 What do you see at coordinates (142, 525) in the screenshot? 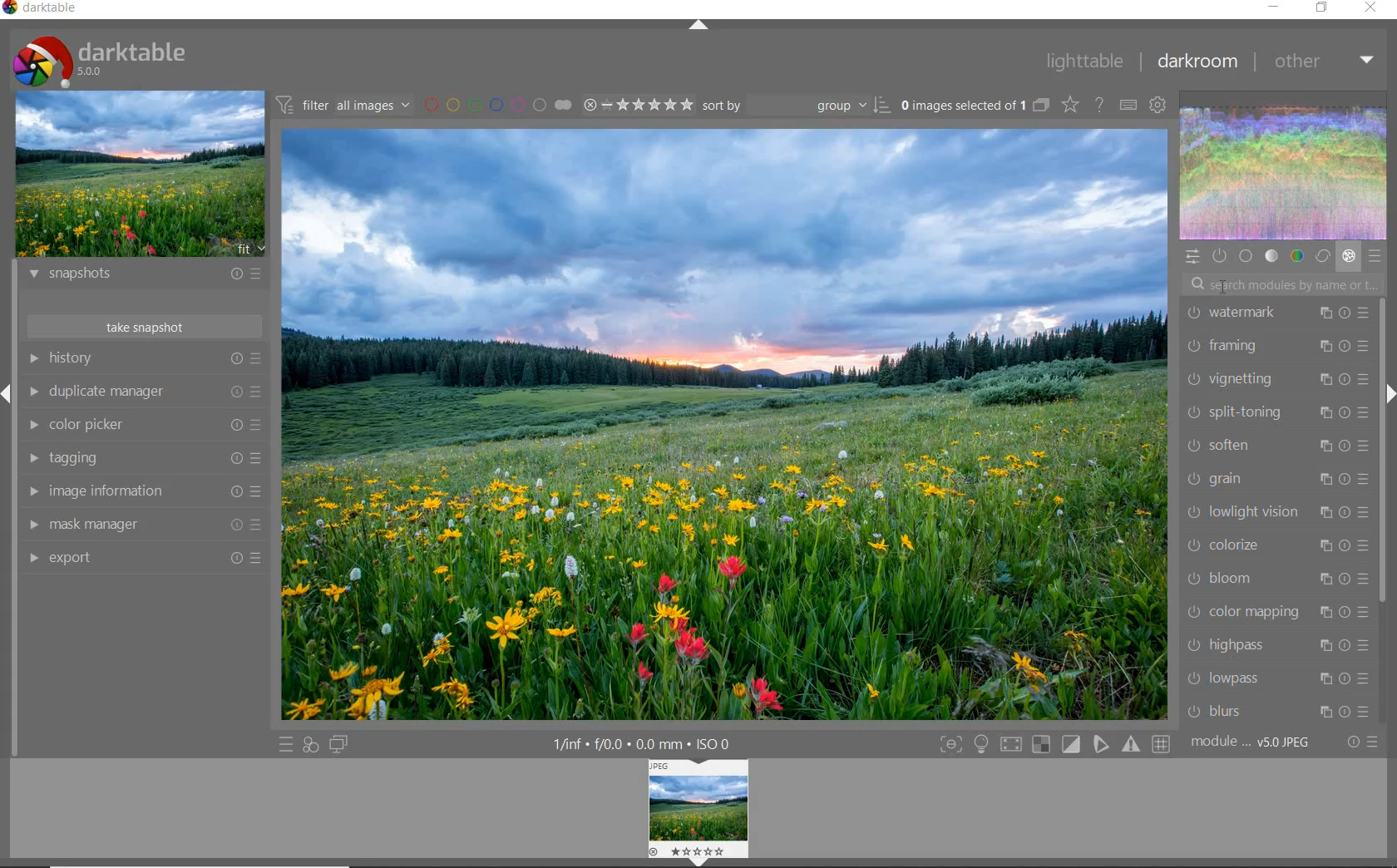
I see `mask manager` at bounding box center [142, 525].